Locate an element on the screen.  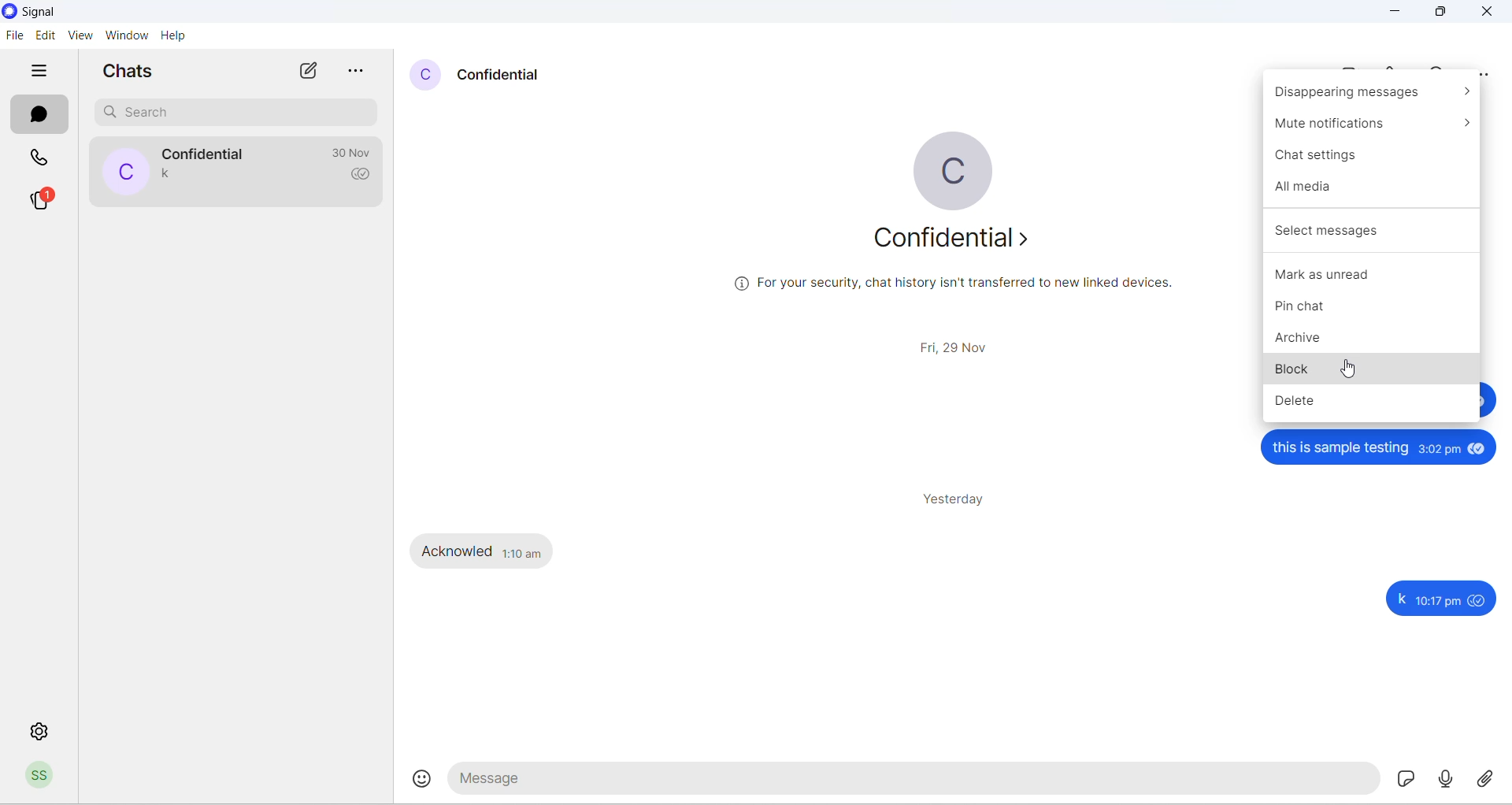
Acknowled is located at coordinates (456, 551).